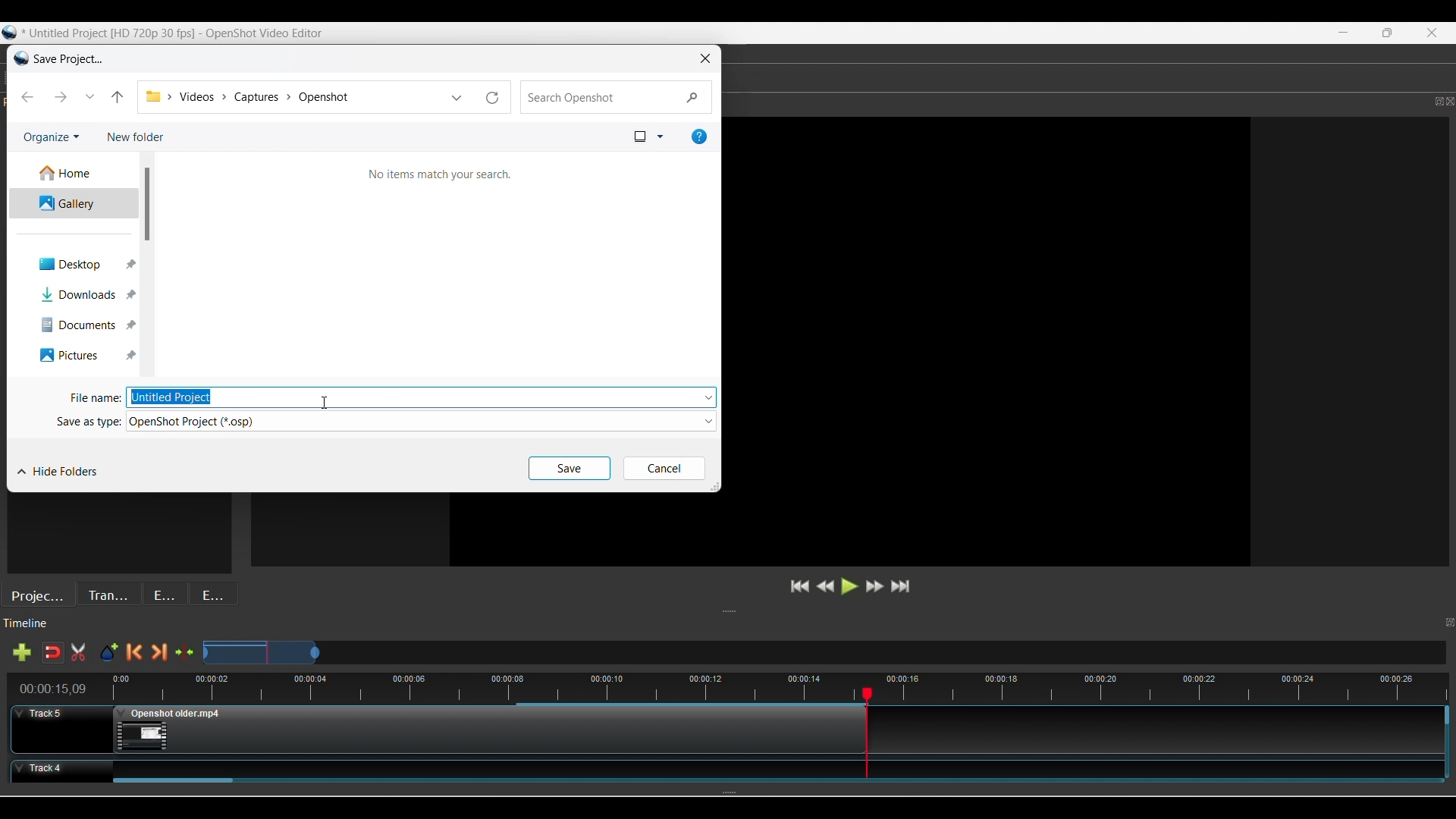 The height and width of the screenshot is (819, 1456). What do you see at coordinates (823, 653) in the screenshot?
I see `Zoom Slider` at bounding box center [823, 653].